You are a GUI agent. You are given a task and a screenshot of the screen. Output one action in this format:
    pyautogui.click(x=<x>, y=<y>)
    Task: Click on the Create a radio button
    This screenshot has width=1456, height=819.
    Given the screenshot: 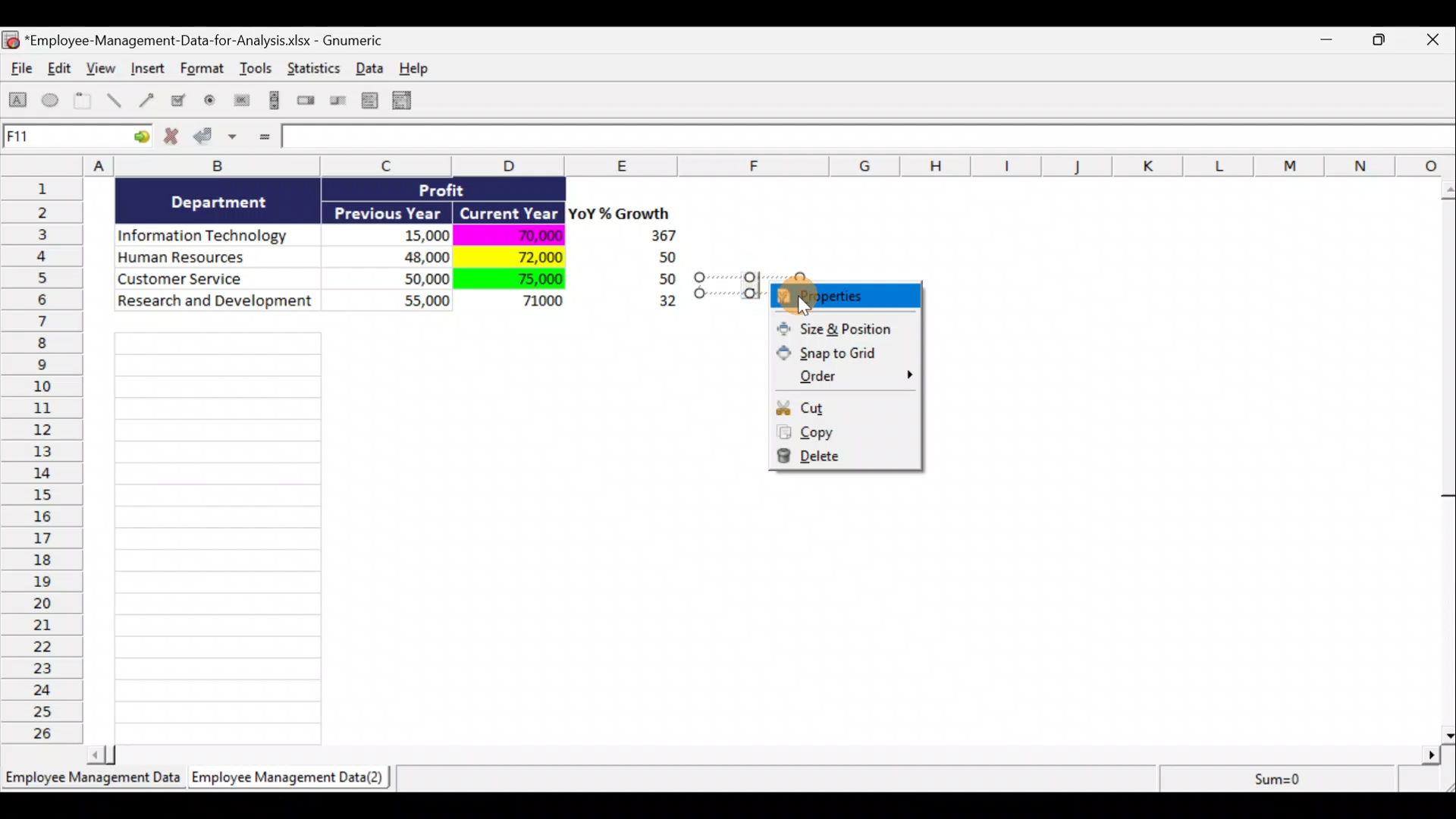 What is the action you would take?
    pyautogui.click(x=211, y=102)
    